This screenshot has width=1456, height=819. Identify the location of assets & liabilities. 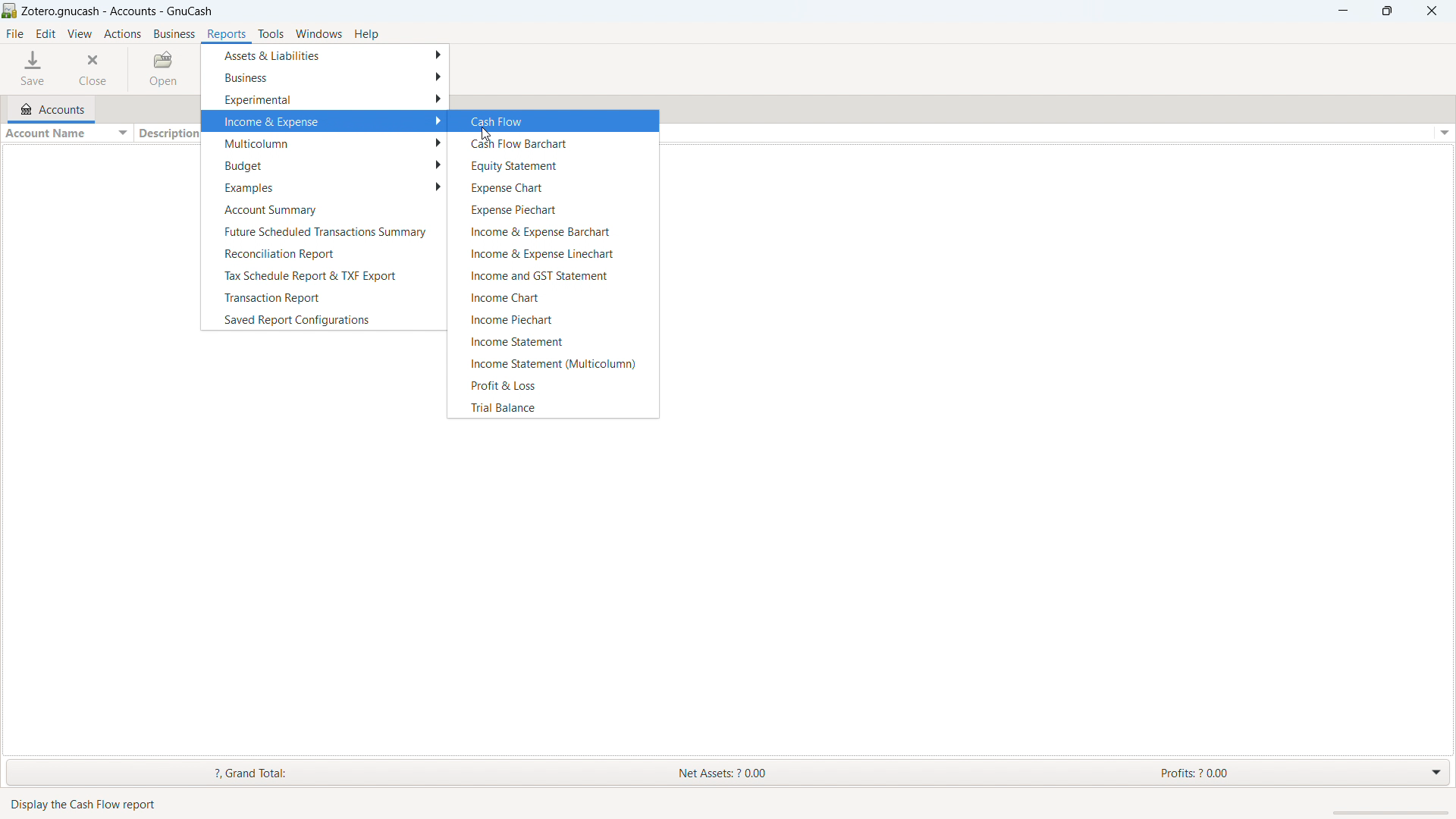
(326, 55).